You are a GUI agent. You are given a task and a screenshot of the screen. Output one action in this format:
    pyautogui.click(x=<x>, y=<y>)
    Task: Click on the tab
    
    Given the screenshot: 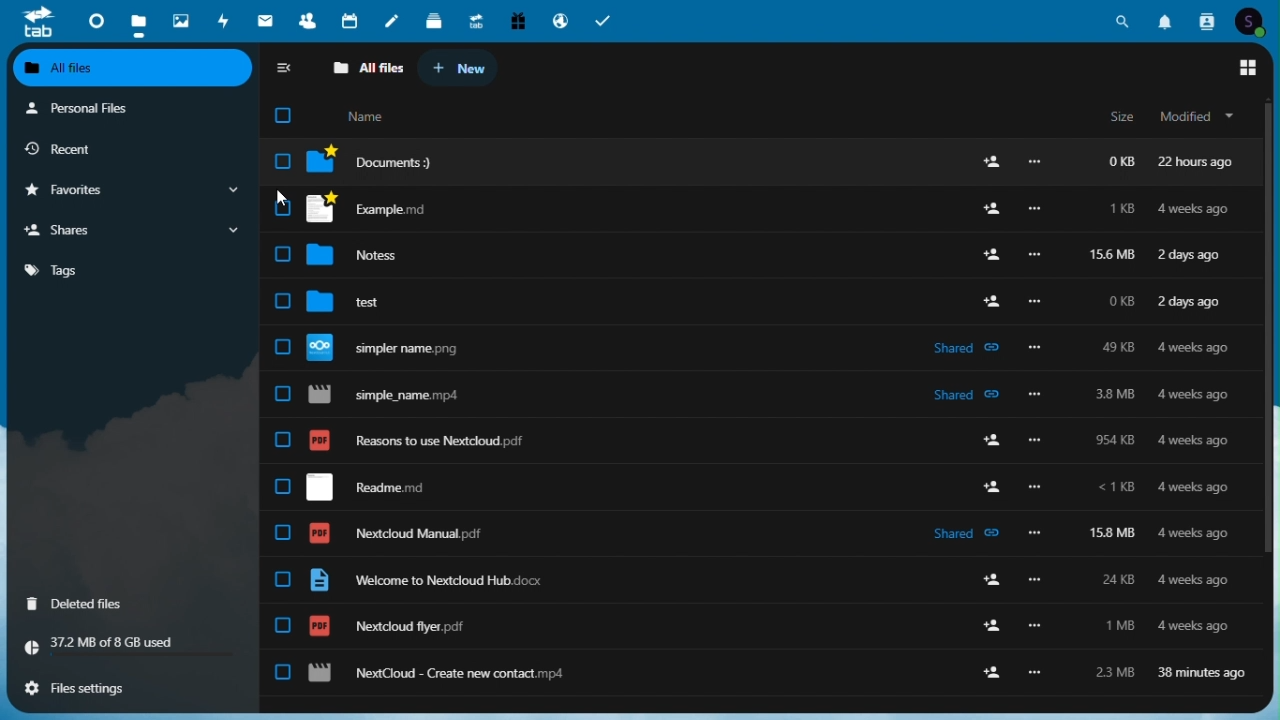 What is the action you would take?
    pyautogui.click(x=36, y=22)
    